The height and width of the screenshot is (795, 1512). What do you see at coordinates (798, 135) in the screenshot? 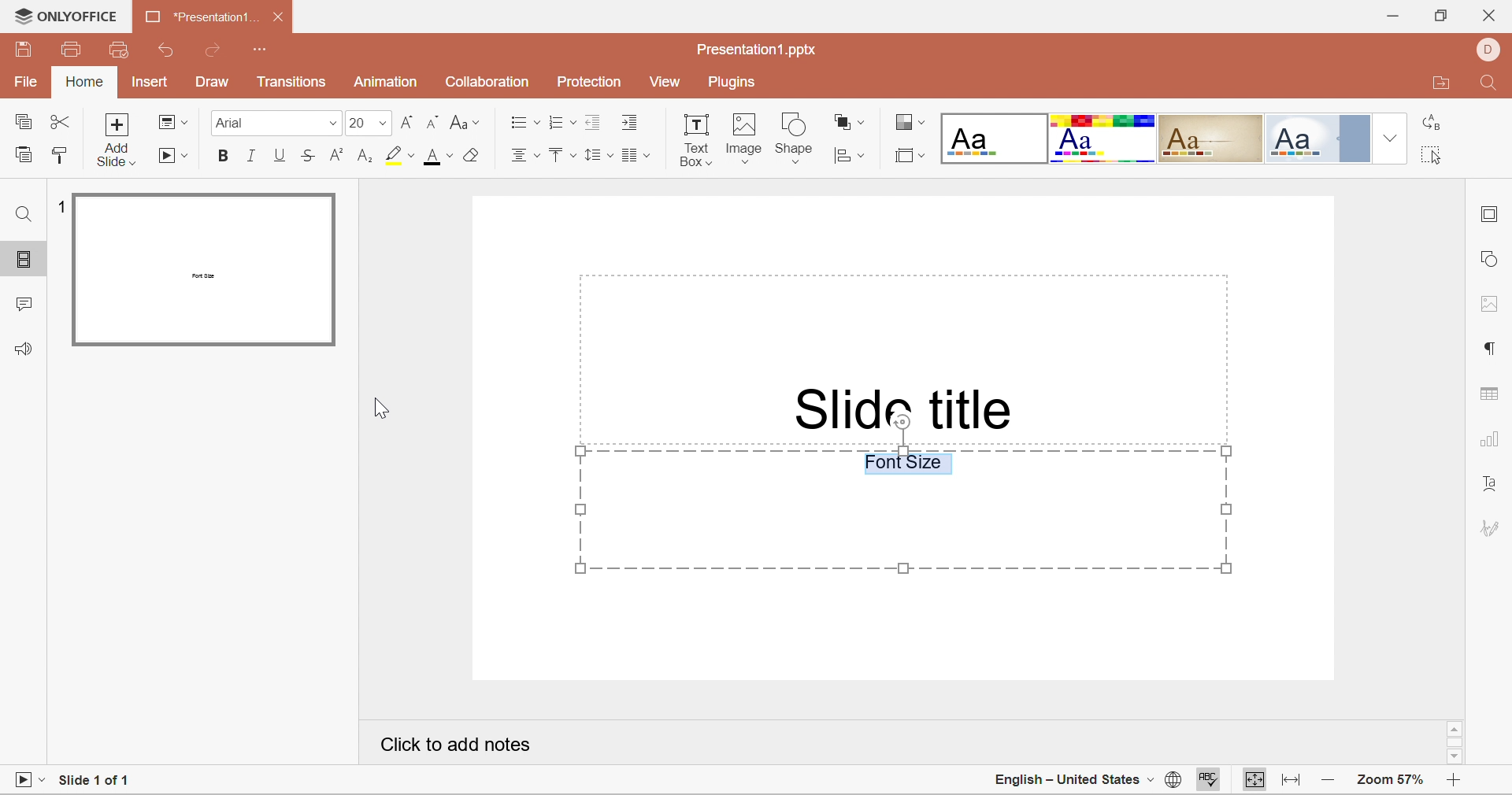
I see `Shape` at bounding box center [798, 135].